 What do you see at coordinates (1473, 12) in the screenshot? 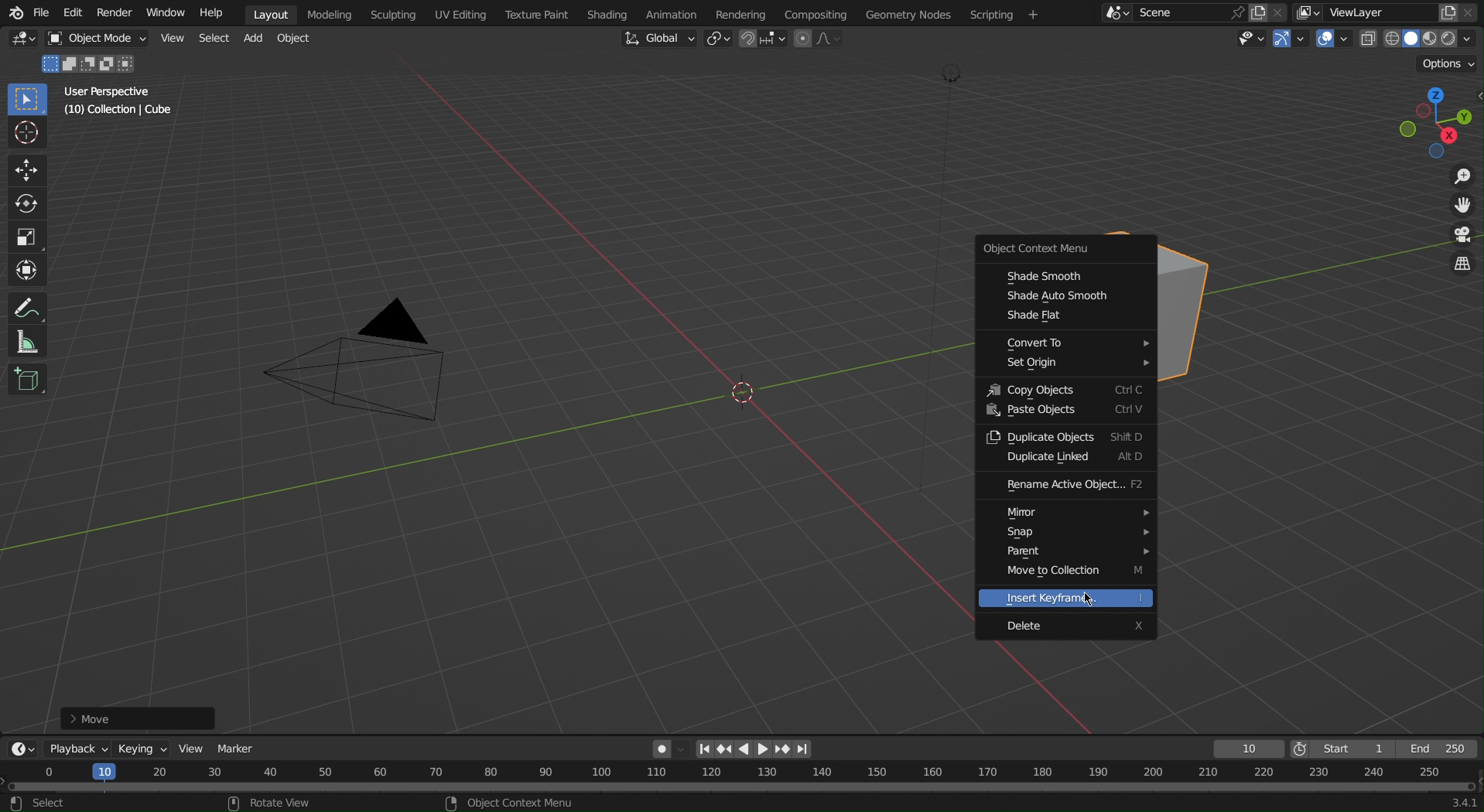
I see `Close` at bounding box center [1473, 12].